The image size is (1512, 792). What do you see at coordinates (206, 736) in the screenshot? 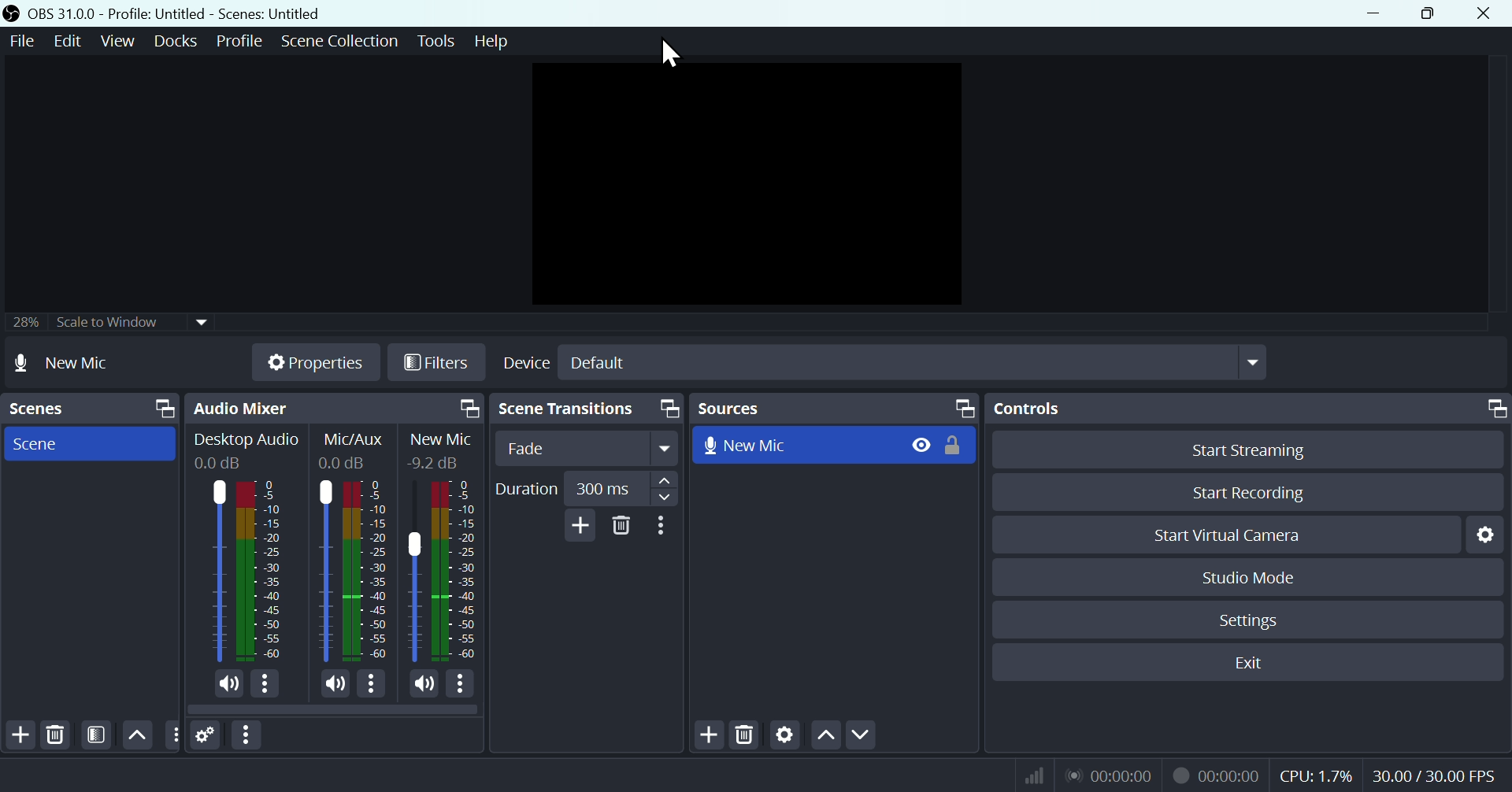
I see `Settings` at bounding box center [206, 736].